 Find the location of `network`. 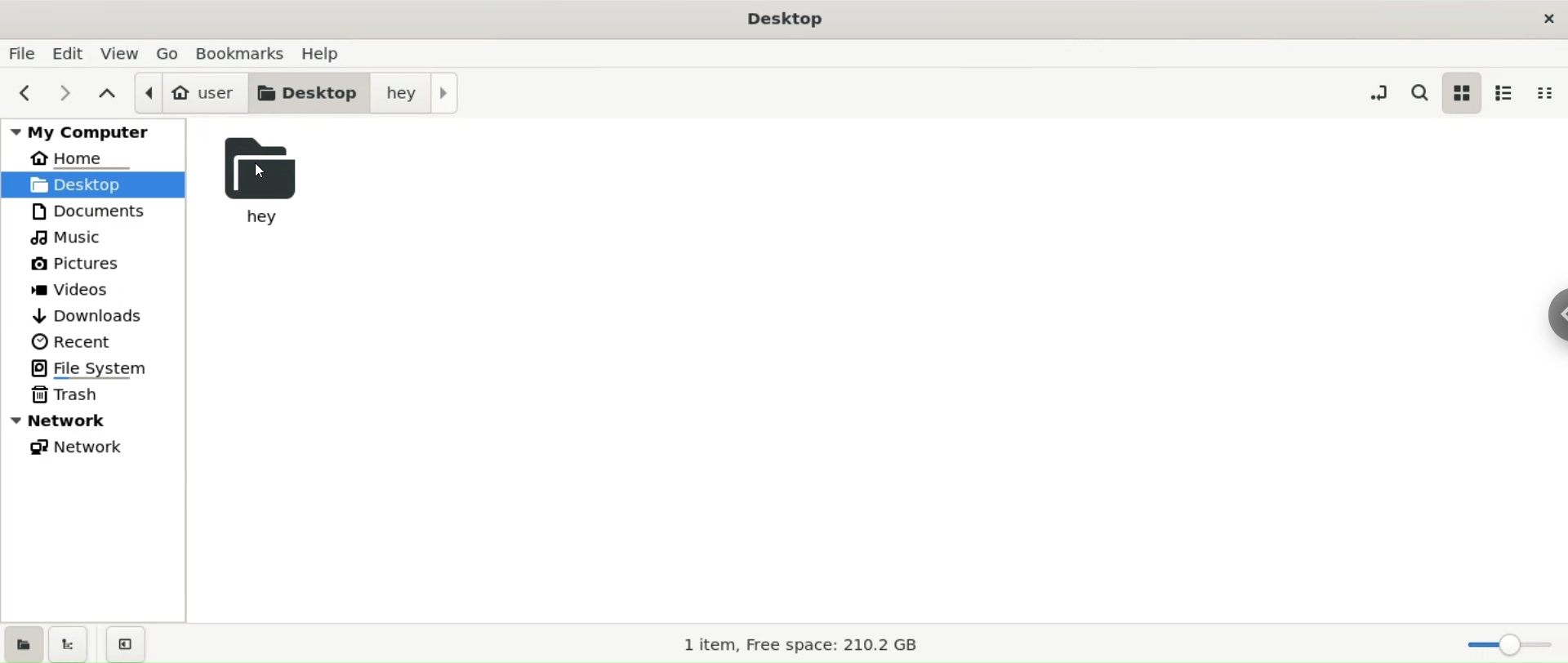

network is located at coordinates (96, 420).